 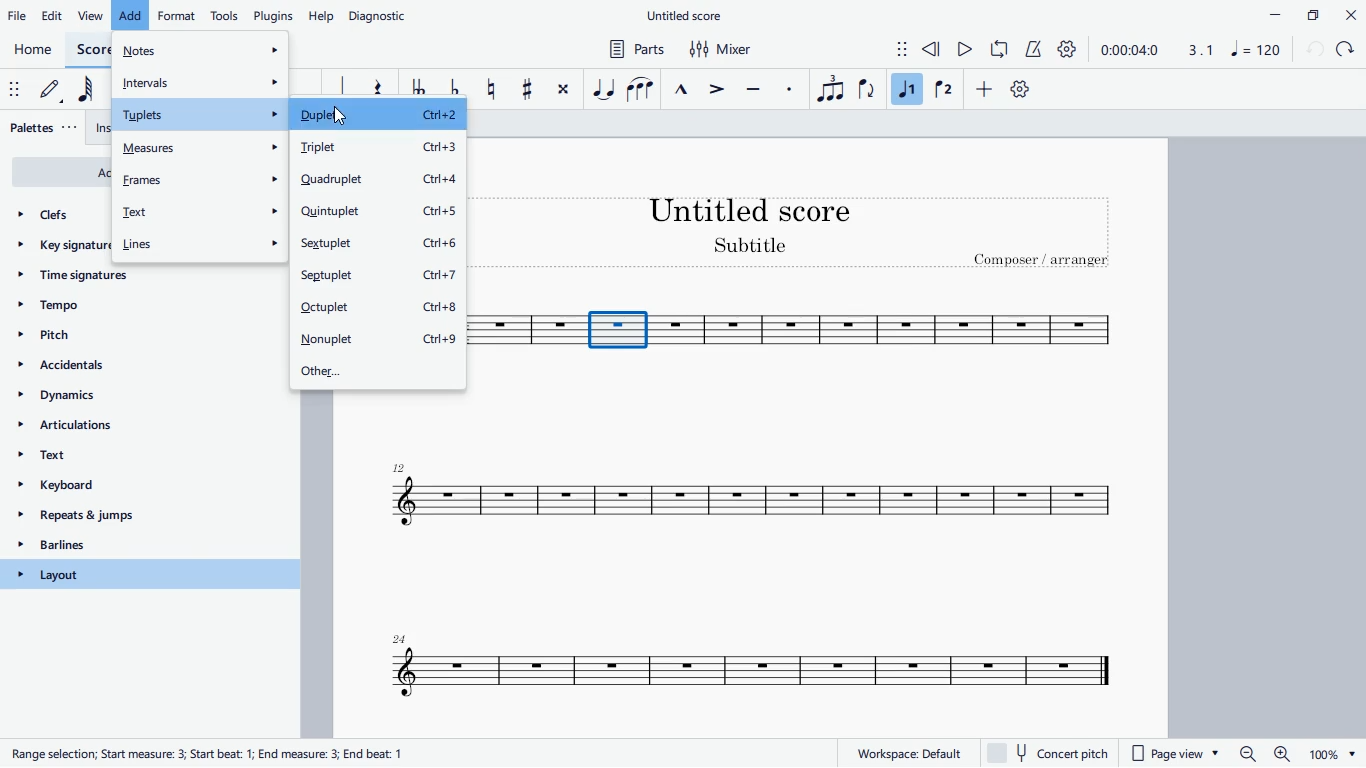 What do you see at coordinates (723, 50) in the screenshot?
I see `mixer` at bounding box center [723, 50].